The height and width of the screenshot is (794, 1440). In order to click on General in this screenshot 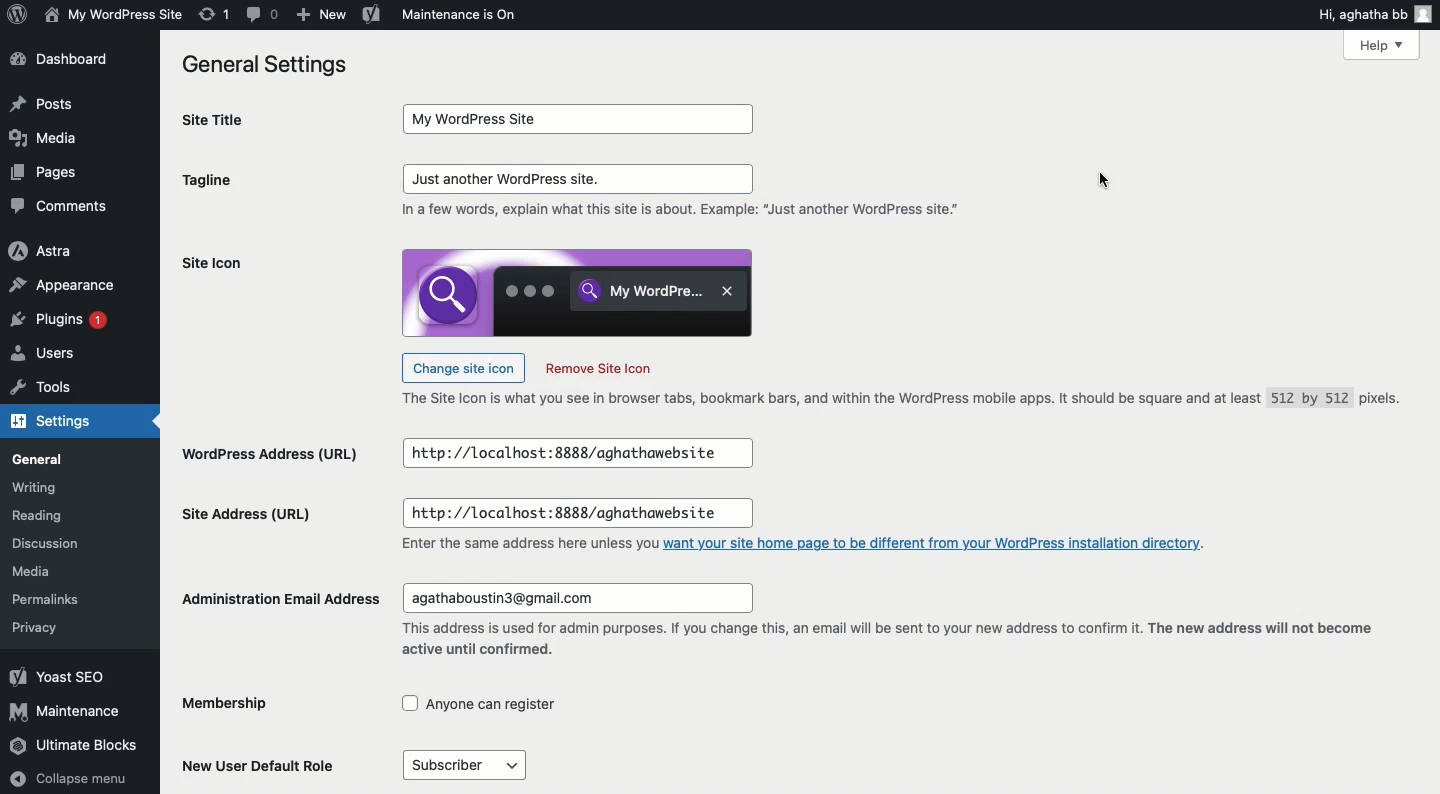, I will do `click(42, 460)`.